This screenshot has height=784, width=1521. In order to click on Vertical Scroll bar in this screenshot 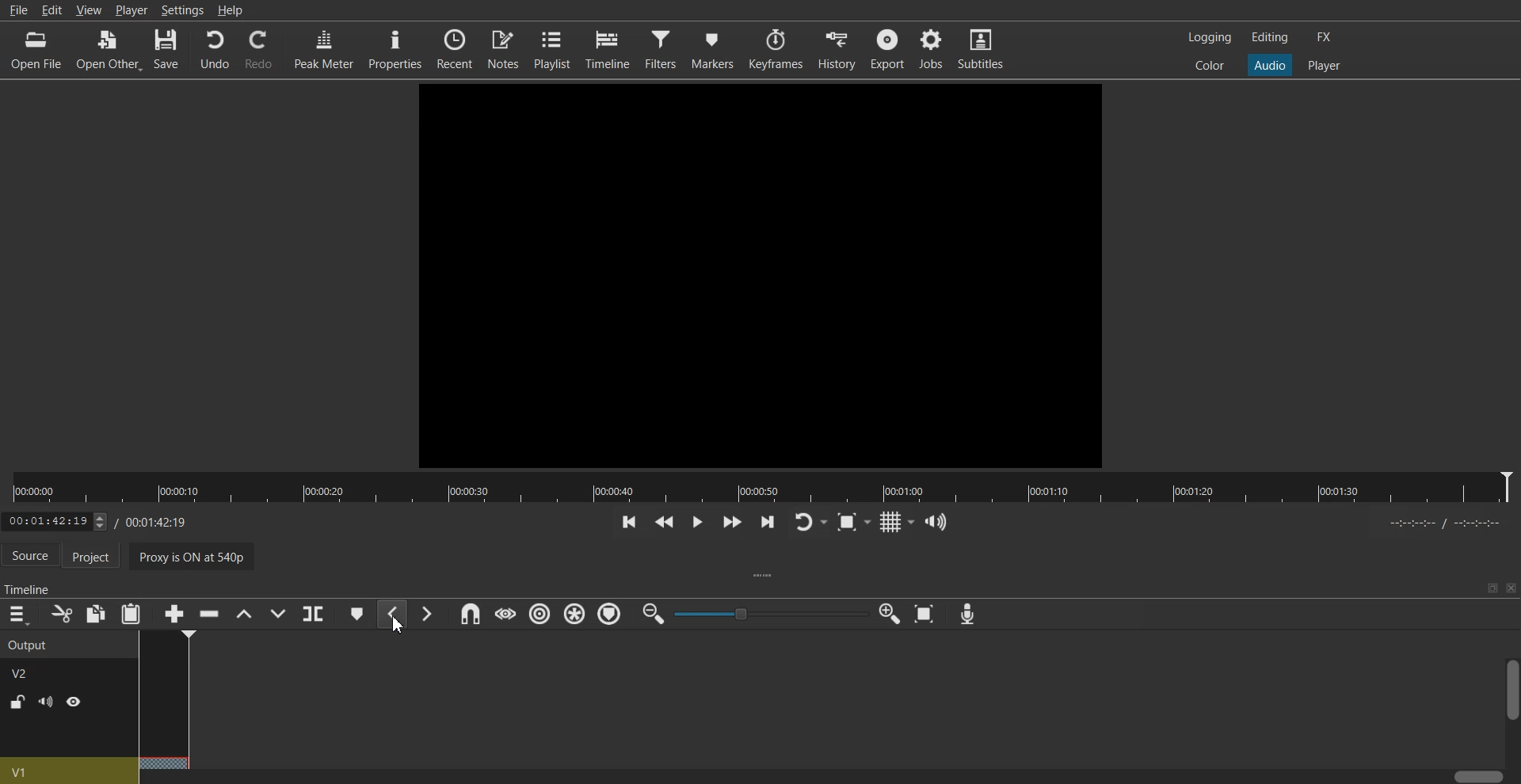, I will do `click(1511, 711)`.